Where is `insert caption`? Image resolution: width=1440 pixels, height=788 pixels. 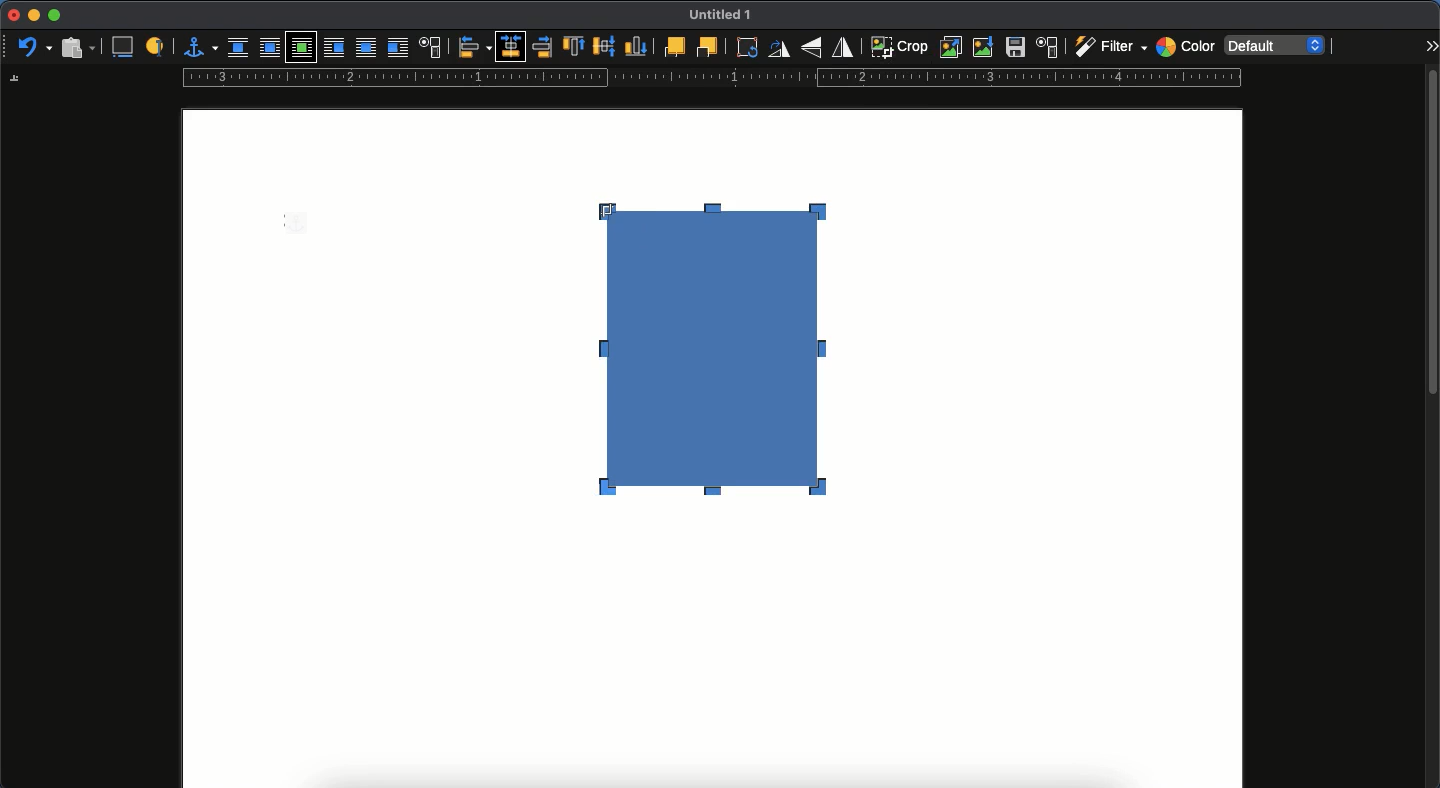 insert caption is located at coordinates (121, 47).